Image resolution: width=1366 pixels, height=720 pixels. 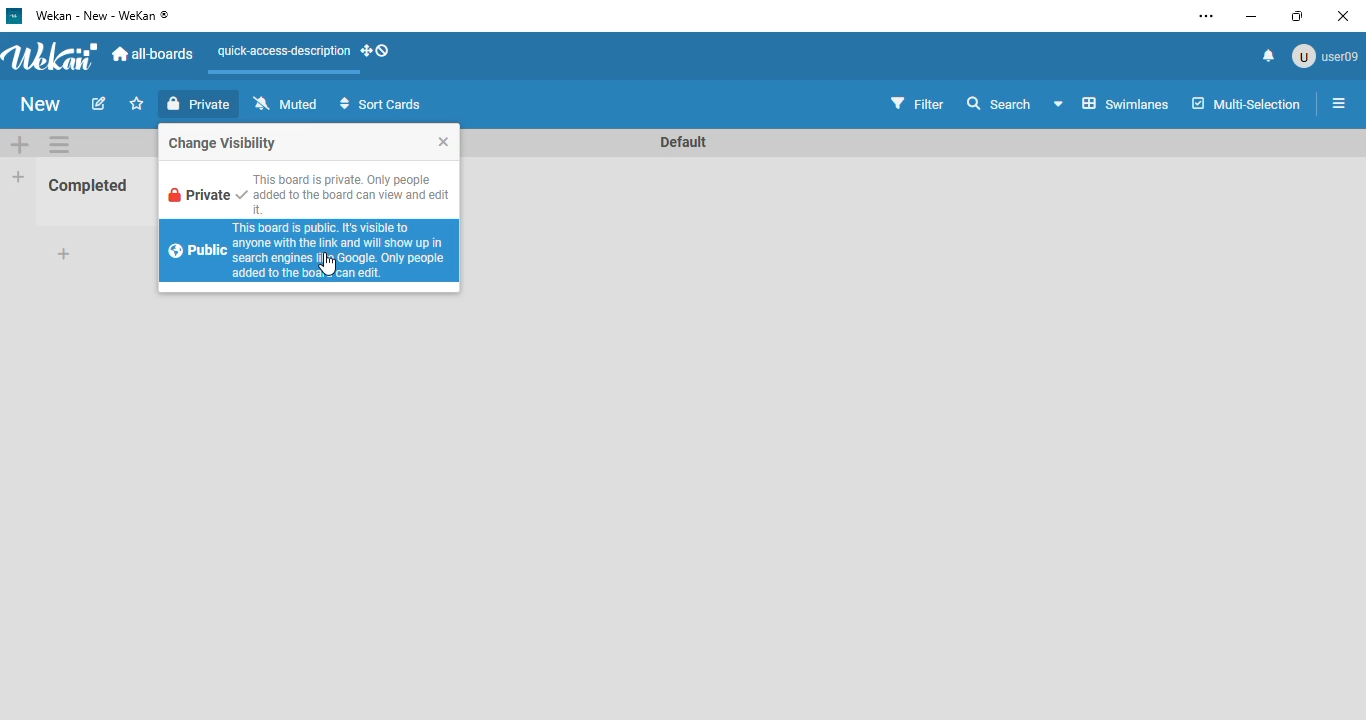 What do you see at coordinates (309, 189) in the screenshot?
I see `this board is private. only people added to this board can view and edit it.` at bounding box center [309, 189].